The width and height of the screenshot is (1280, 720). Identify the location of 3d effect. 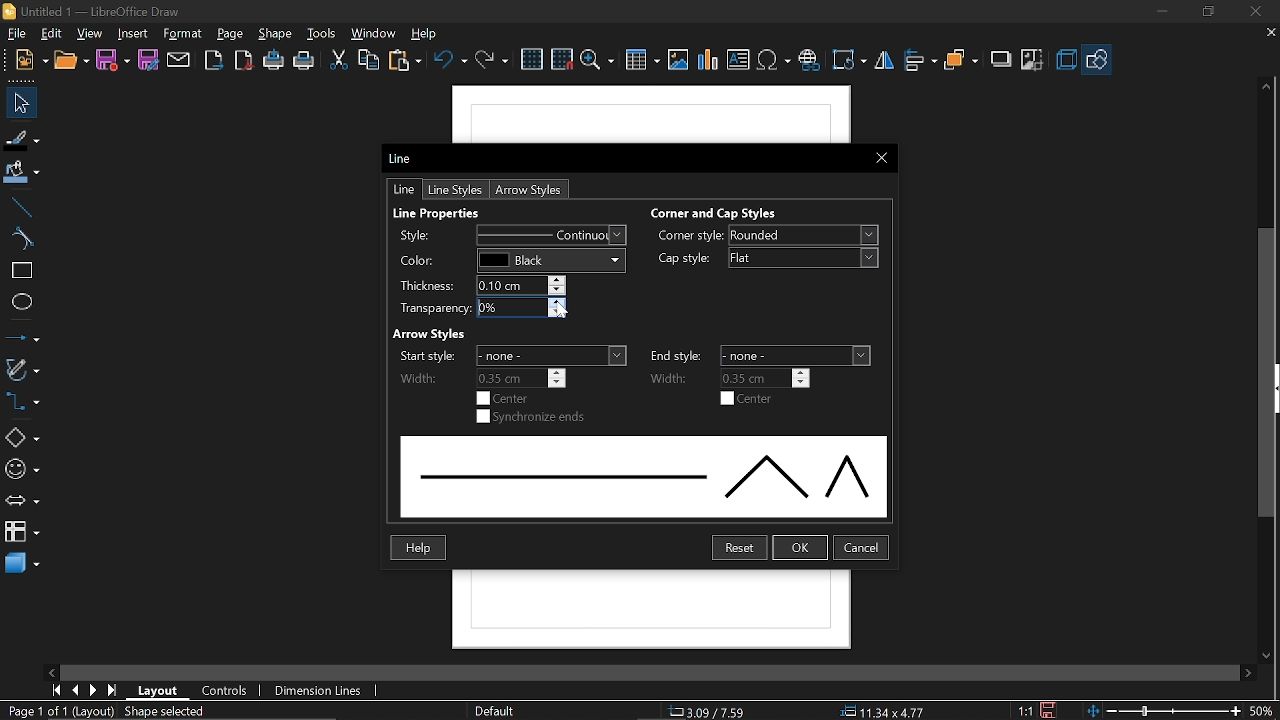
(1066, 60).